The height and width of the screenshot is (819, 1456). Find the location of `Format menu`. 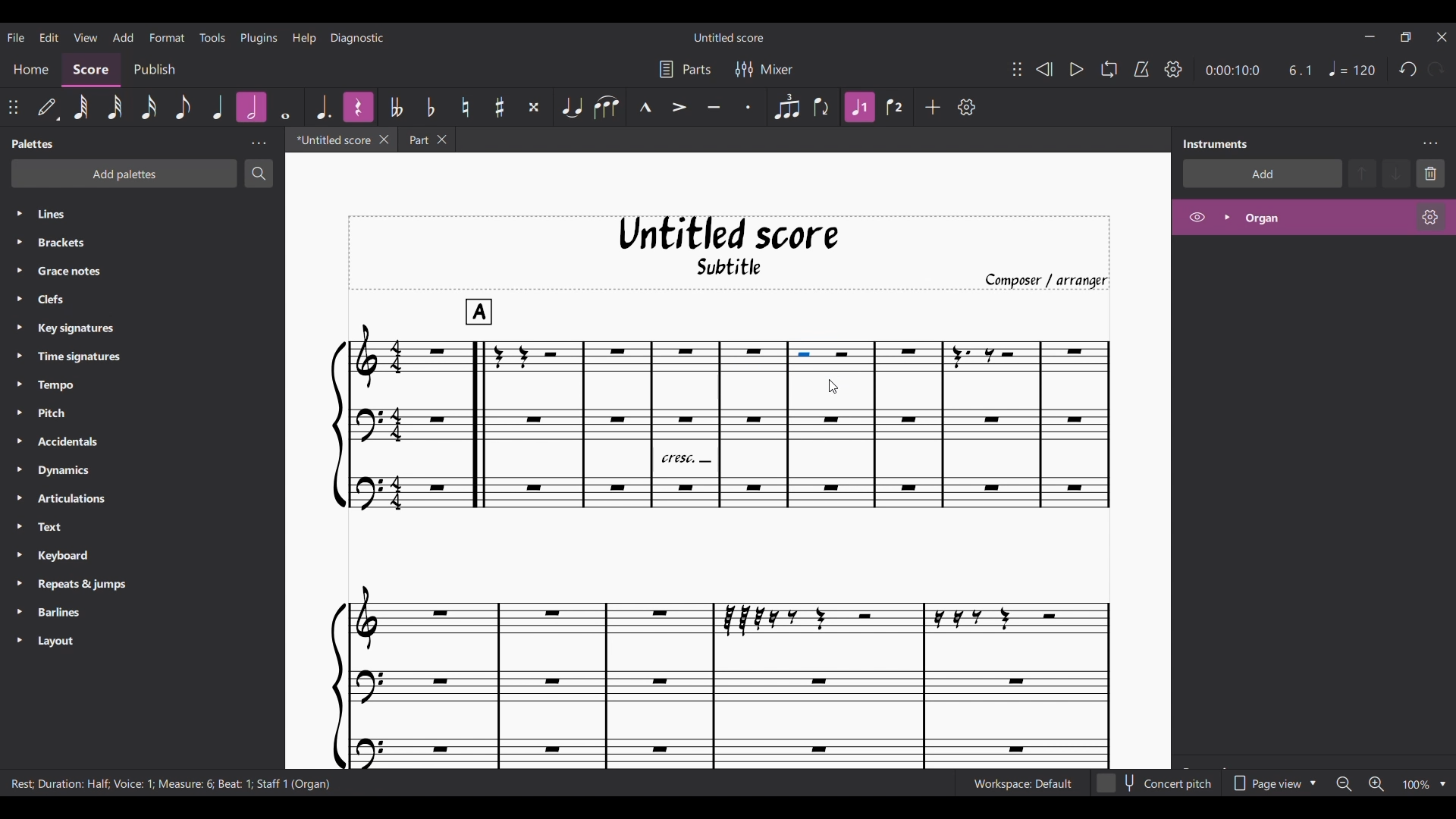

Format menu is located at coordinates (166, 35).